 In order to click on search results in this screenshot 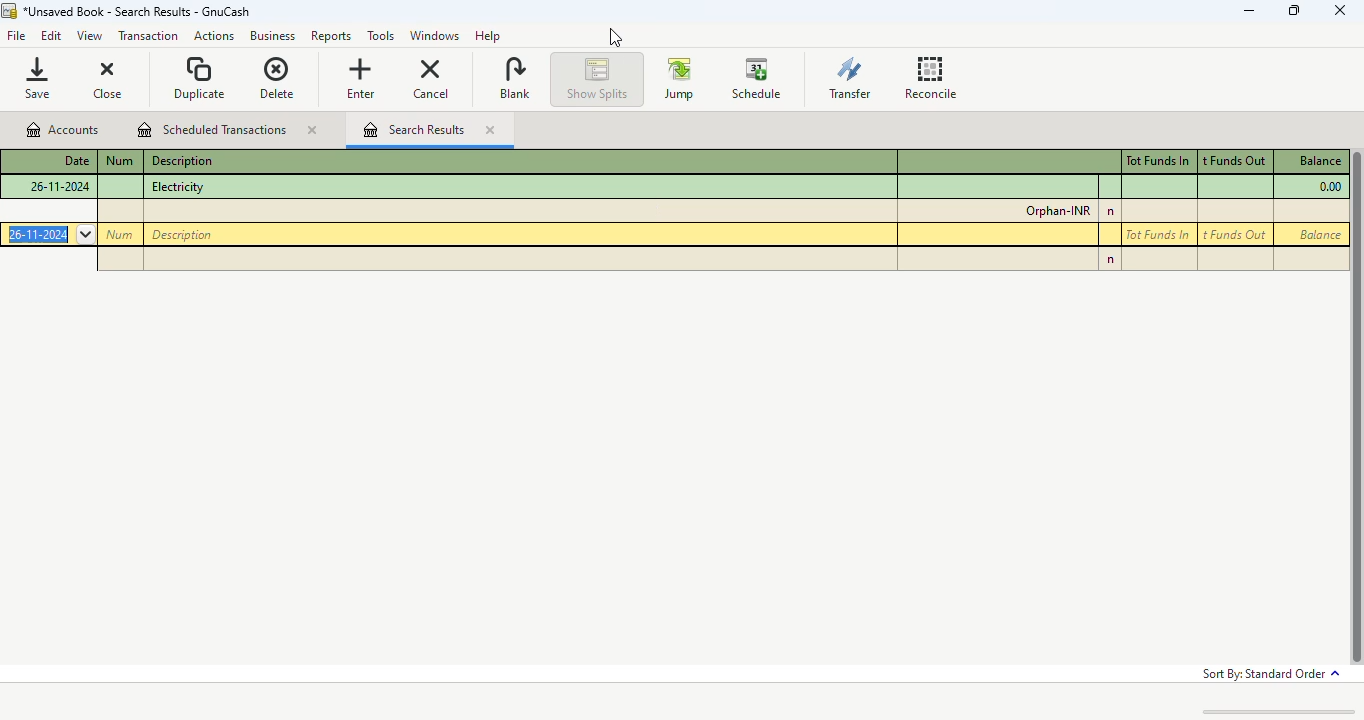, I will do `click(414, 129)`.